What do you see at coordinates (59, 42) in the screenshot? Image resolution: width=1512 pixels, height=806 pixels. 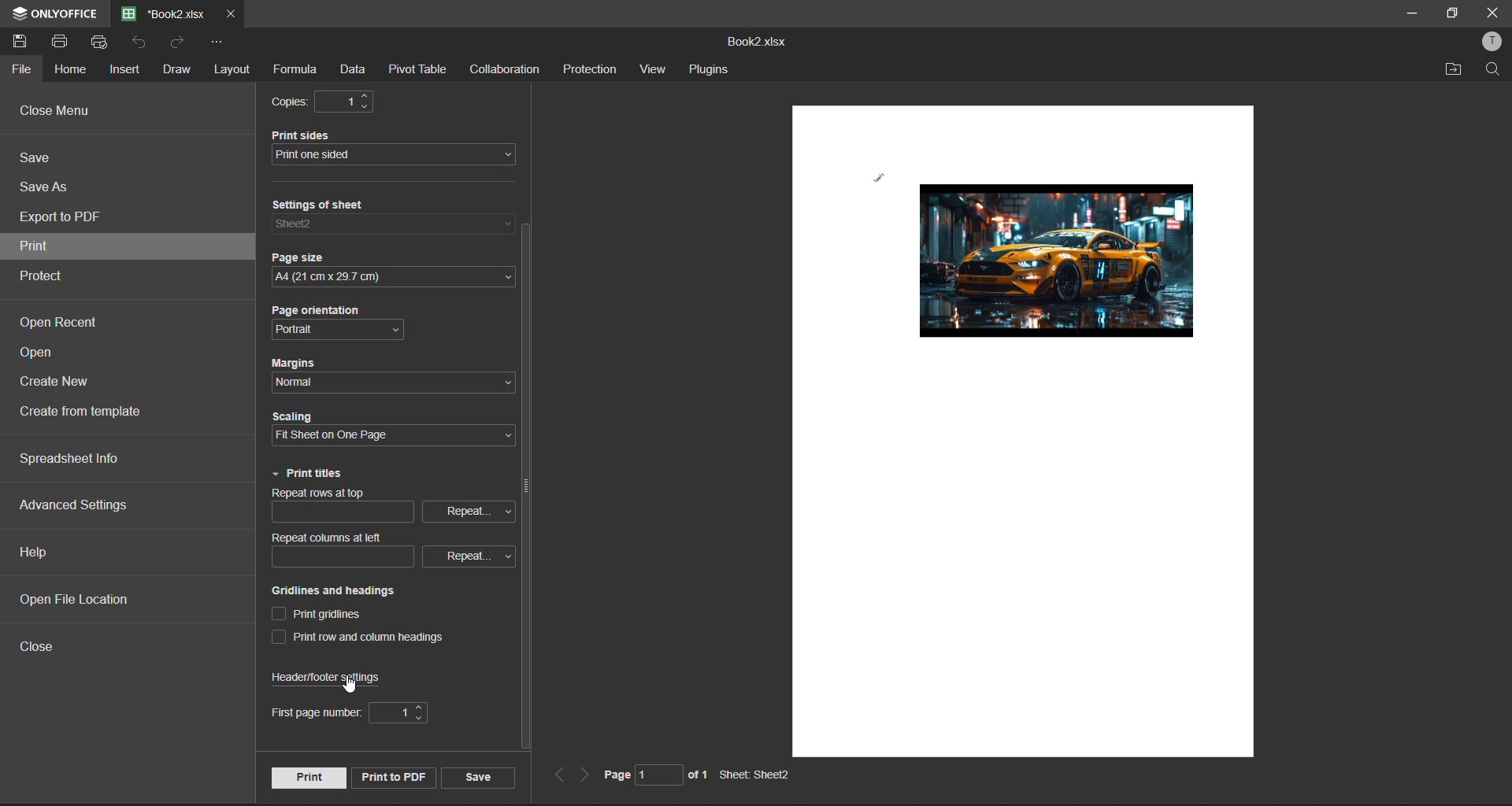 I see `print` at bounding box center [59, 42].